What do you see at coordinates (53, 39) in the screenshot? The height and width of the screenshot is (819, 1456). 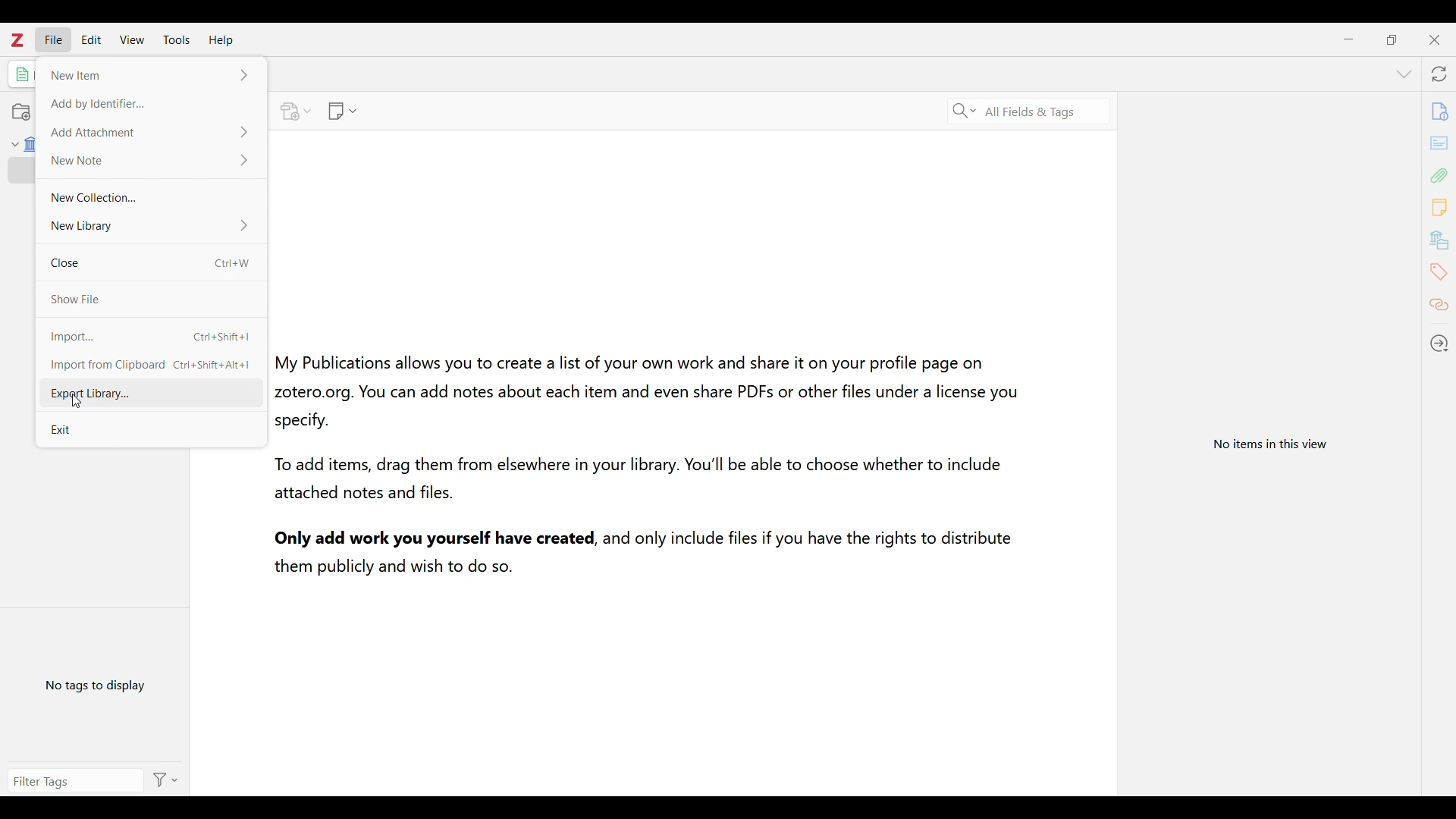 I see `File` at bounding box center [53, 39].